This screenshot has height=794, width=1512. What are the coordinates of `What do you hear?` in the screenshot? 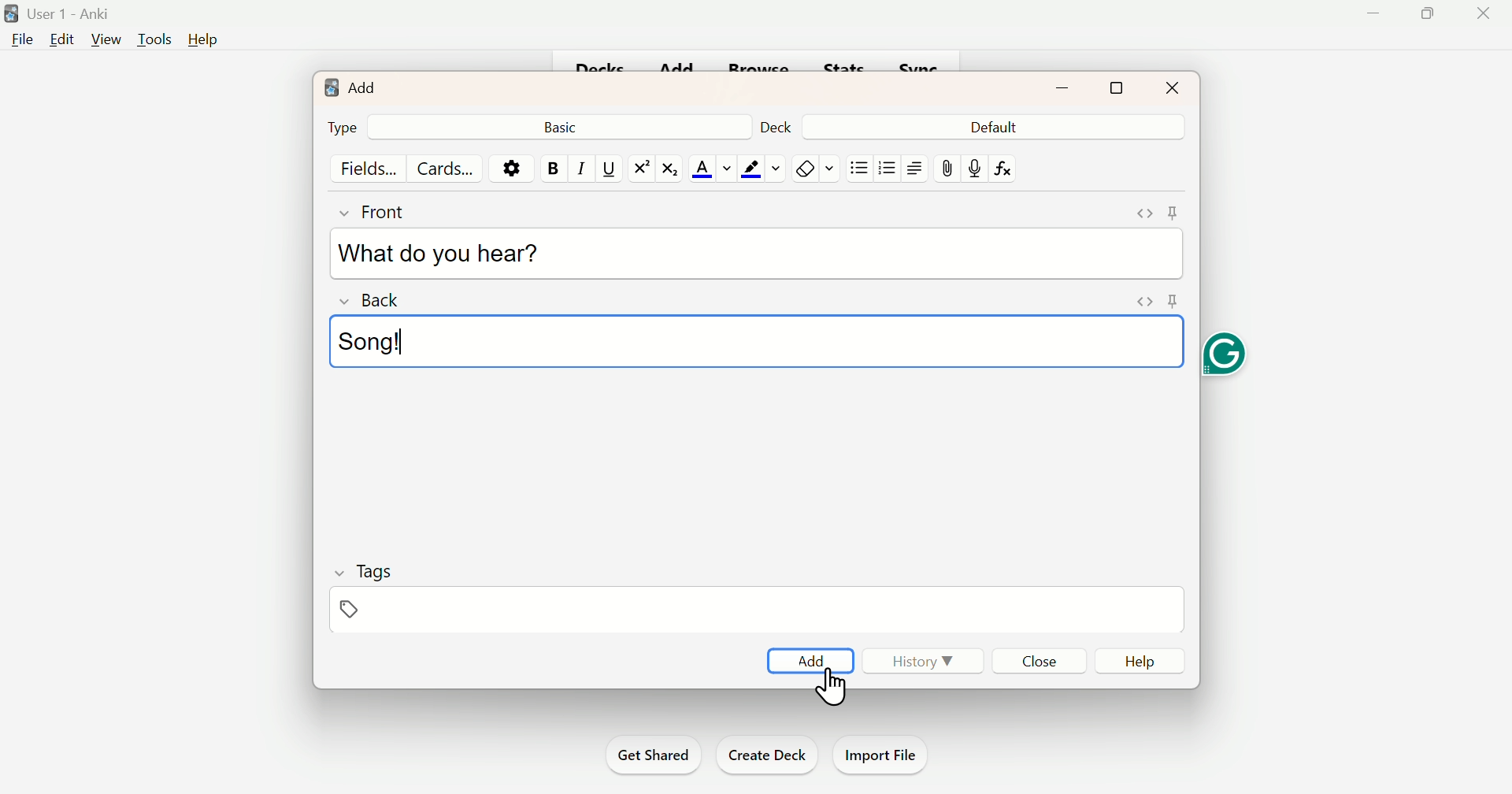 It's located at (445, 254).